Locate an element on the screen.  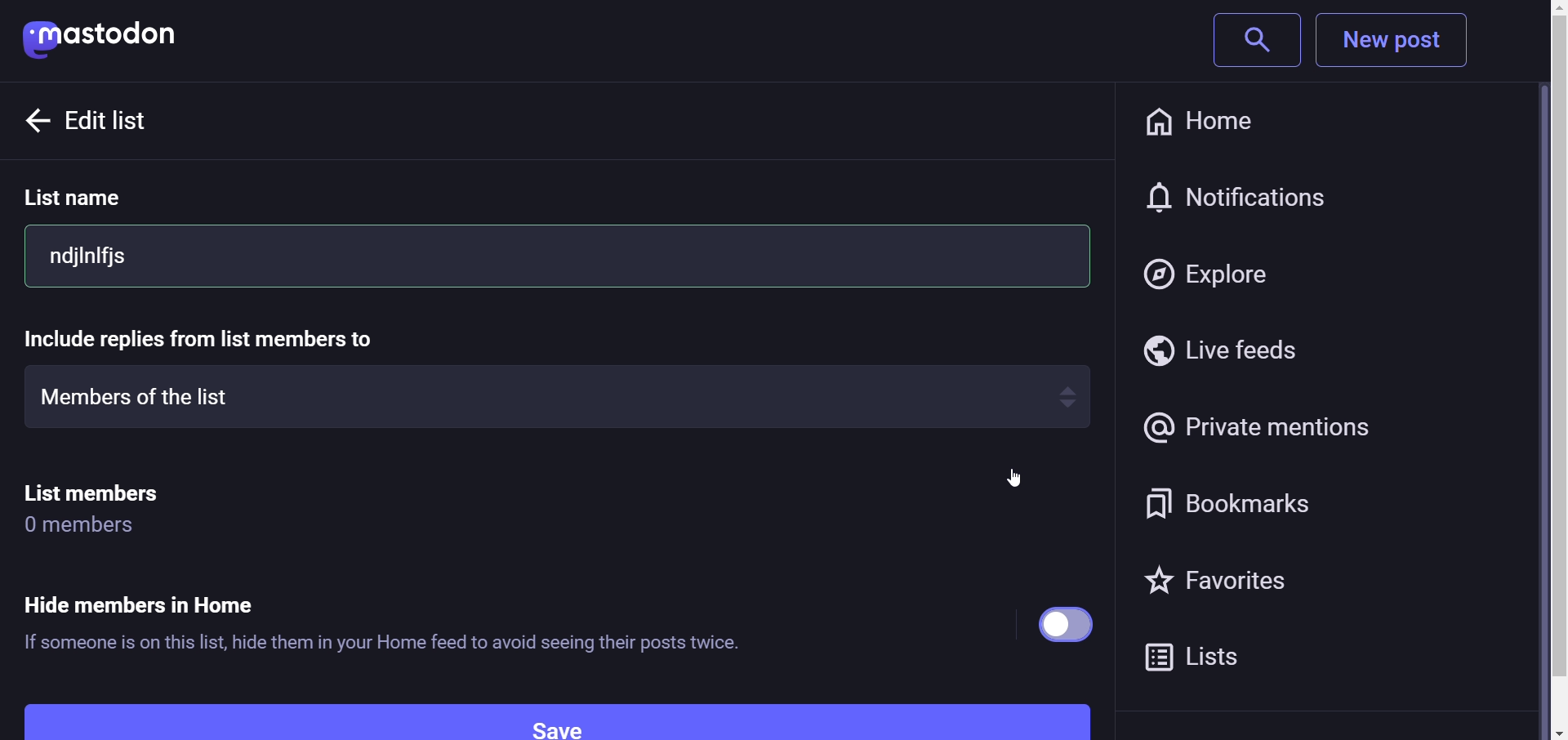
private mentions is located at coordinates (1267, 426).